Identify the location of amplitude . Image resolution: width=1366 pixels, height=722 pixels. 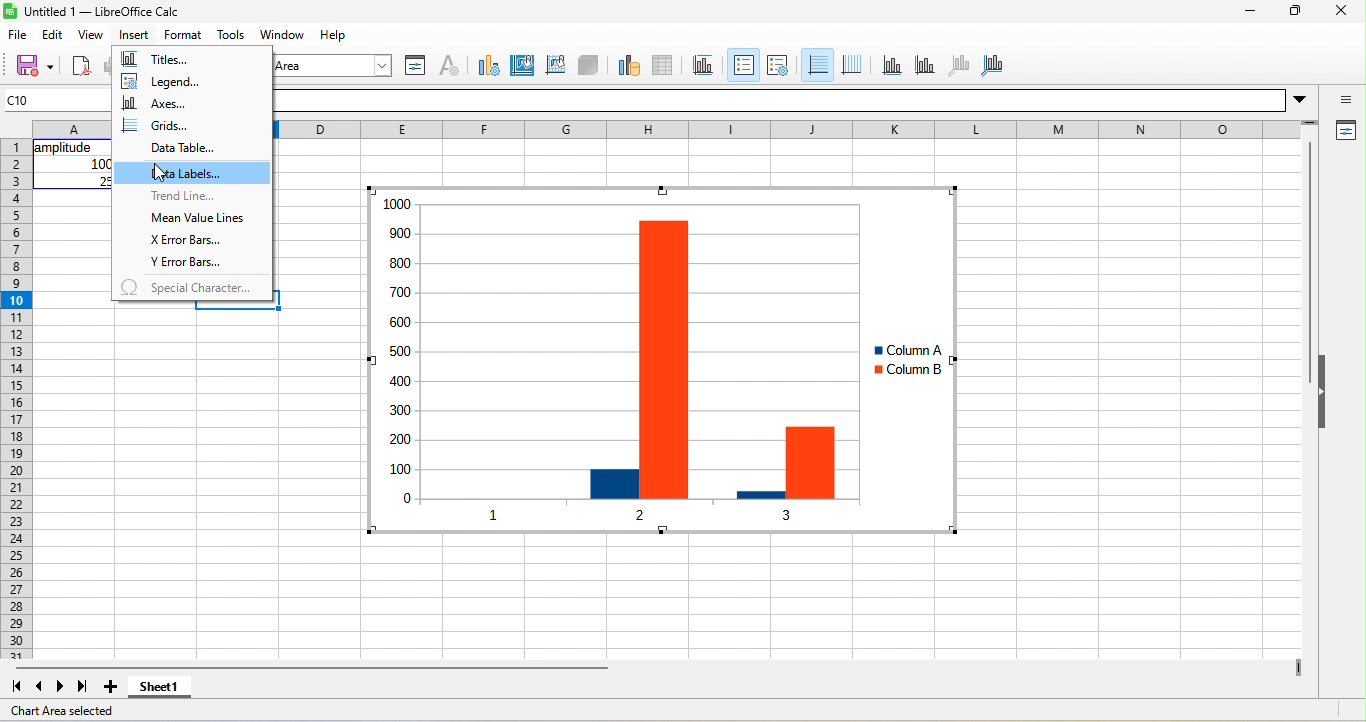
(65, 148).